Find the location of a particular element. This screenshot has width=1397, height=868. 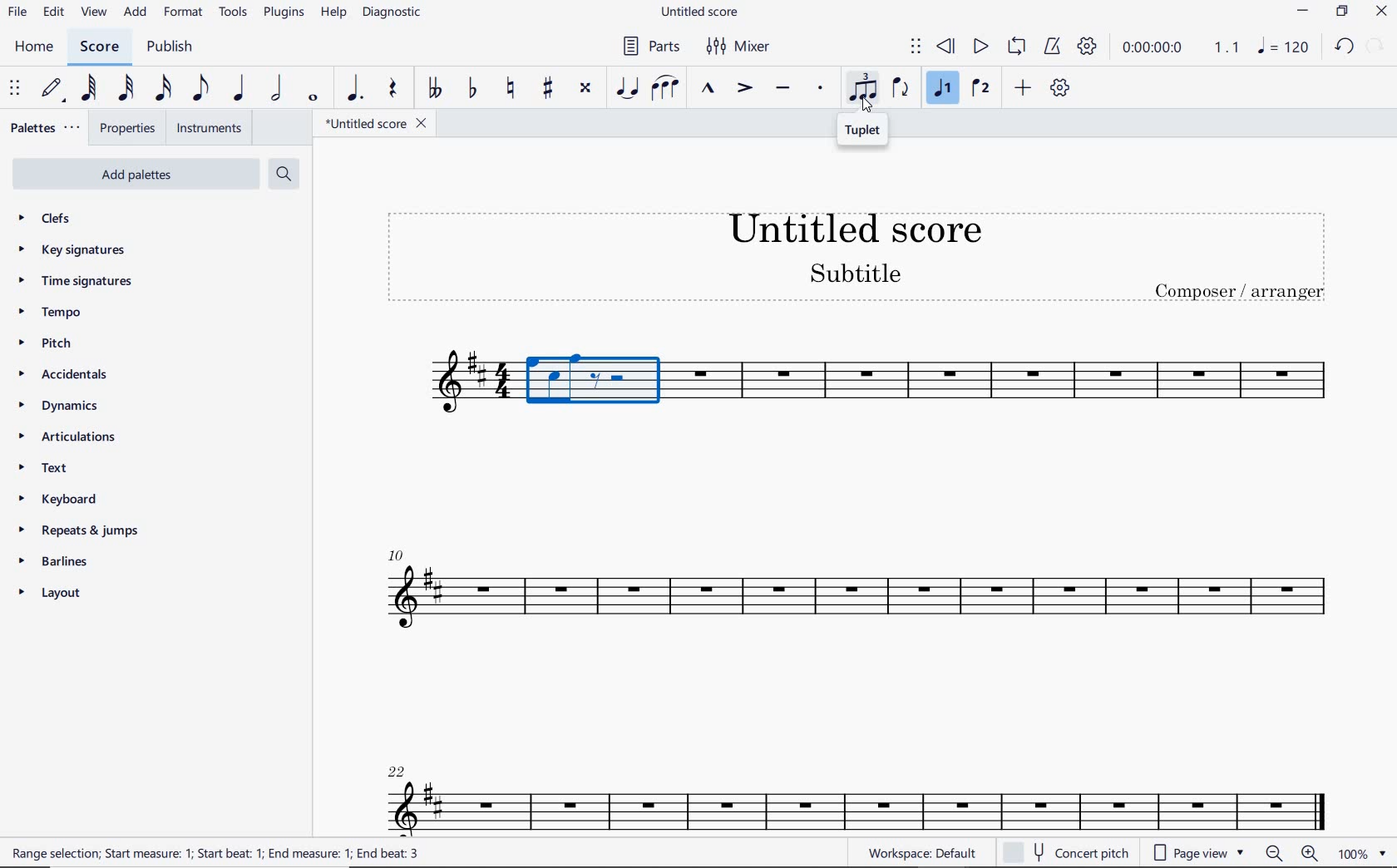

REWIND is located at coordinates (949, 46).